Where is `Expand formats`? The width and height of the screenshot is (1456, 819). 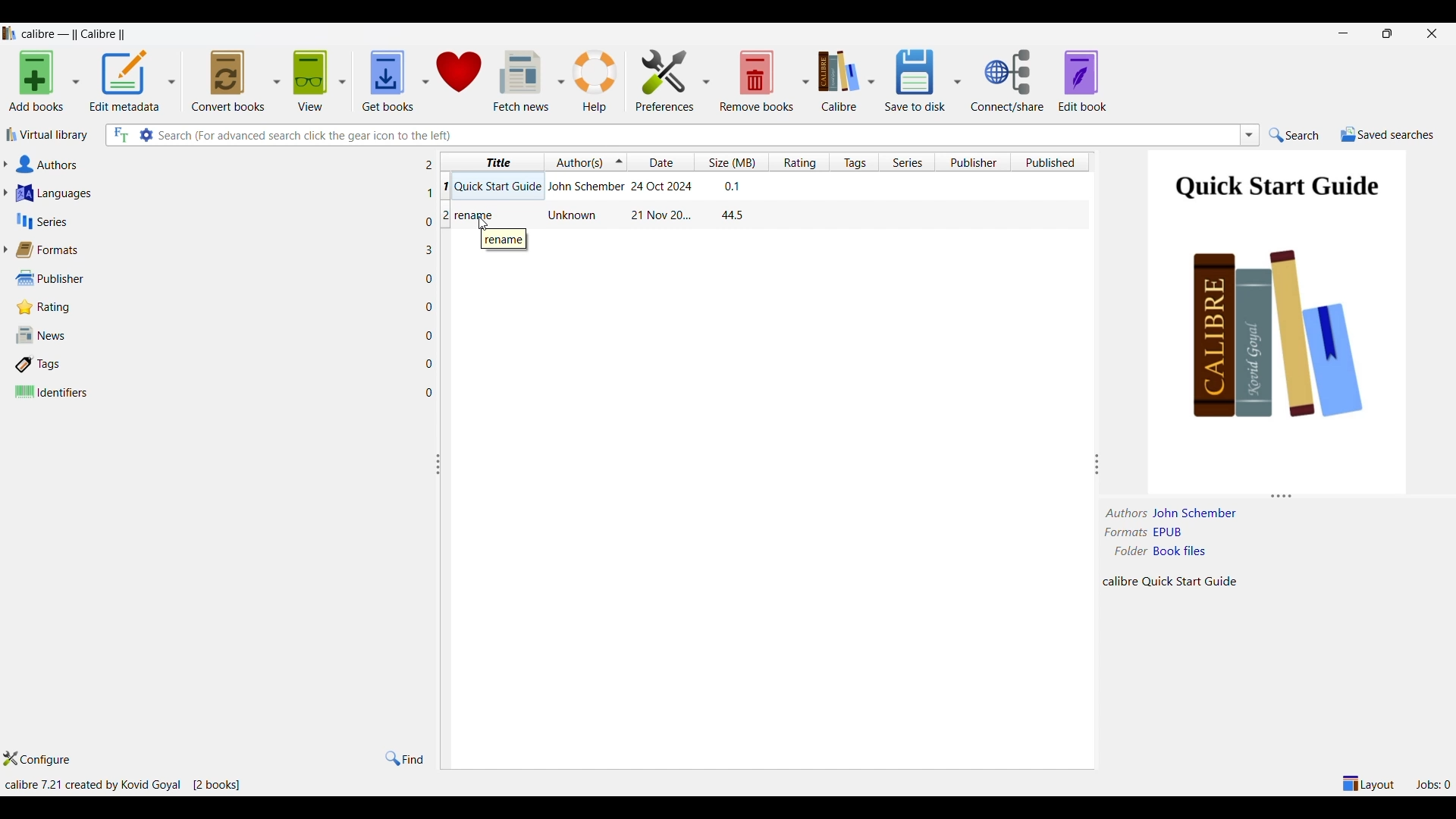 Expand formats is located at coordinates (5, 249).